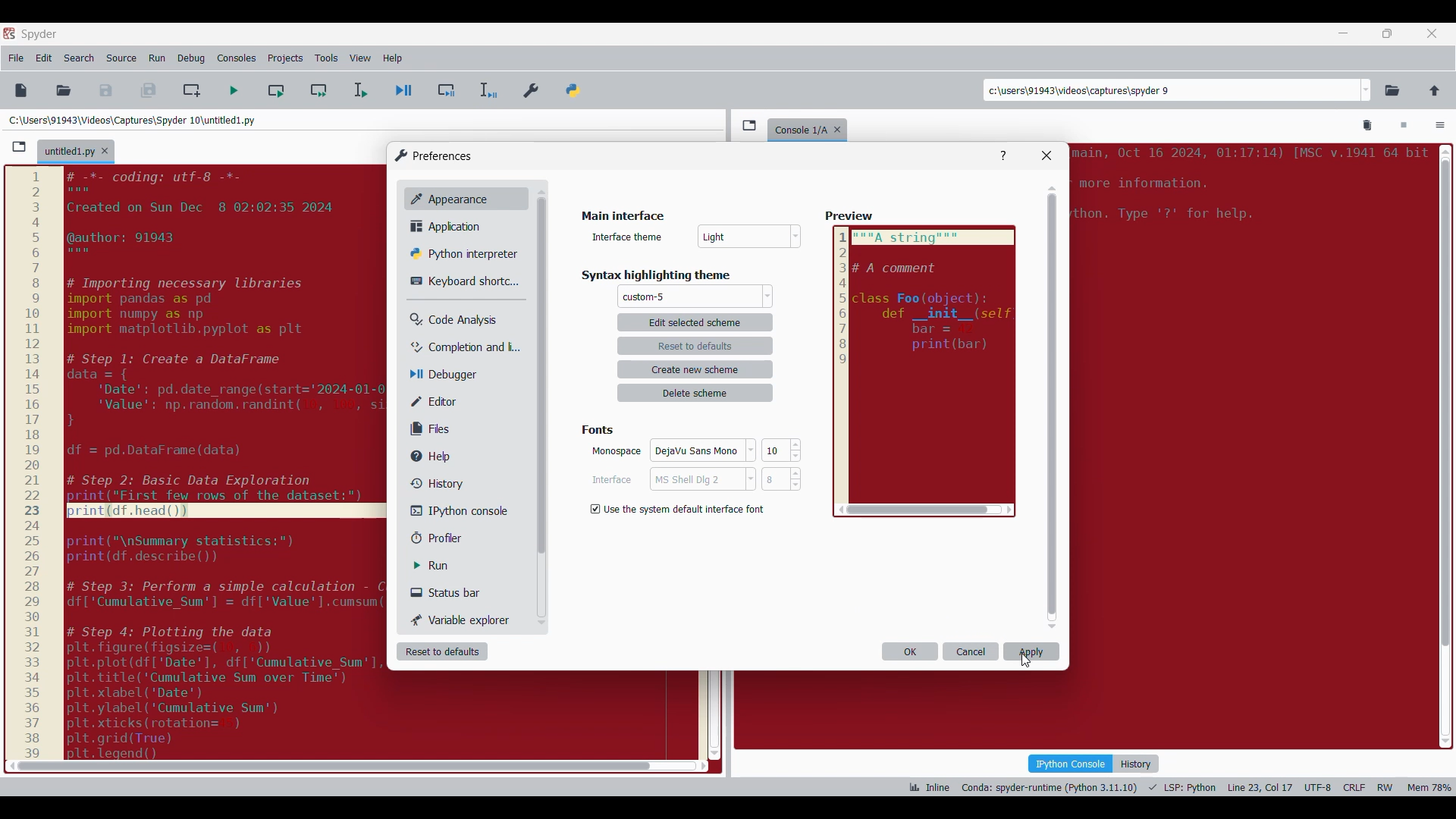  Describe the element at coordinates (462, 620) in the screenshot. I see `Variable explorer` at that location.